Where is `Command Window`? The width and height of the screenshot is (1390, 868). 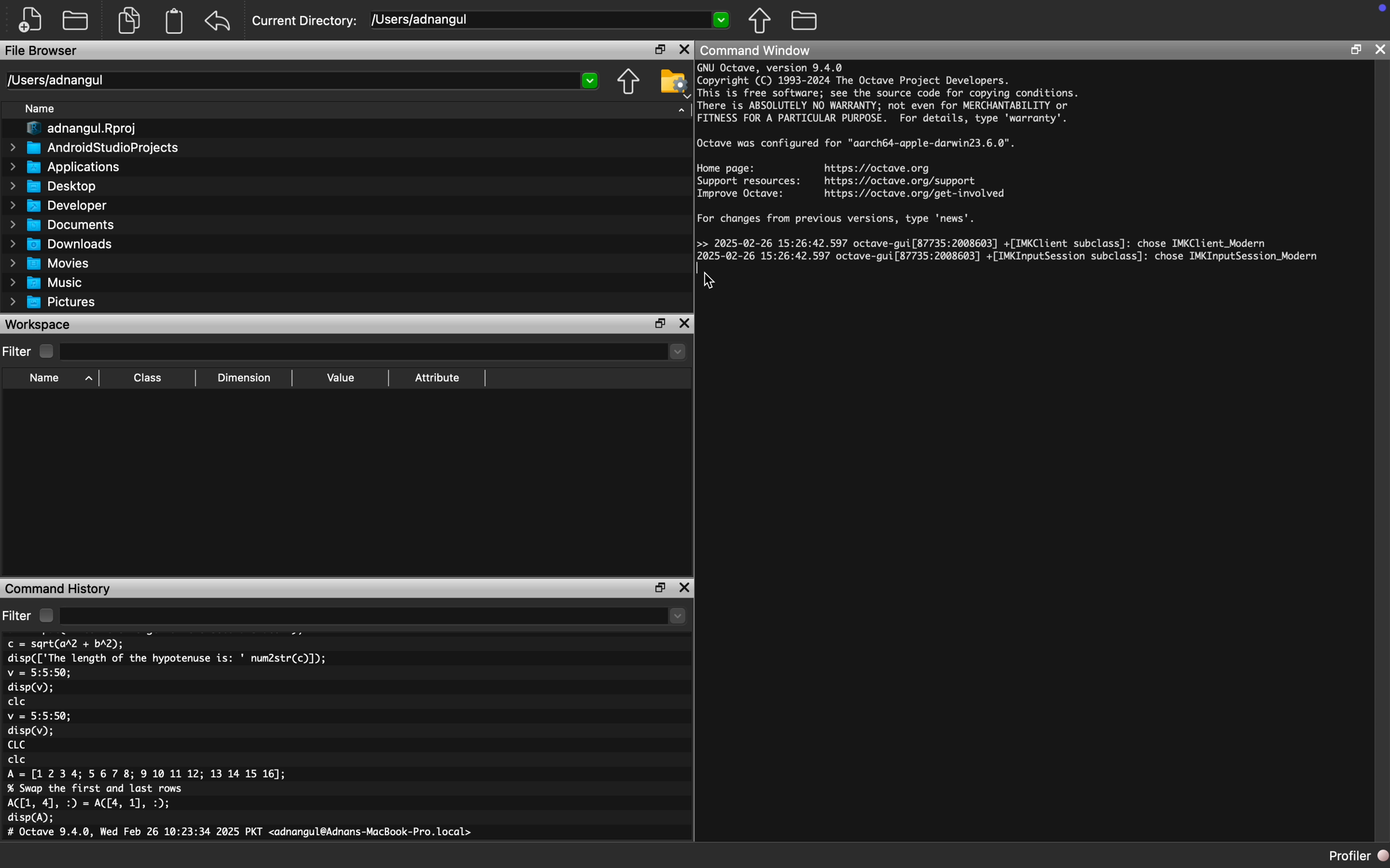 Command Window is located at coordinates (755, 50).